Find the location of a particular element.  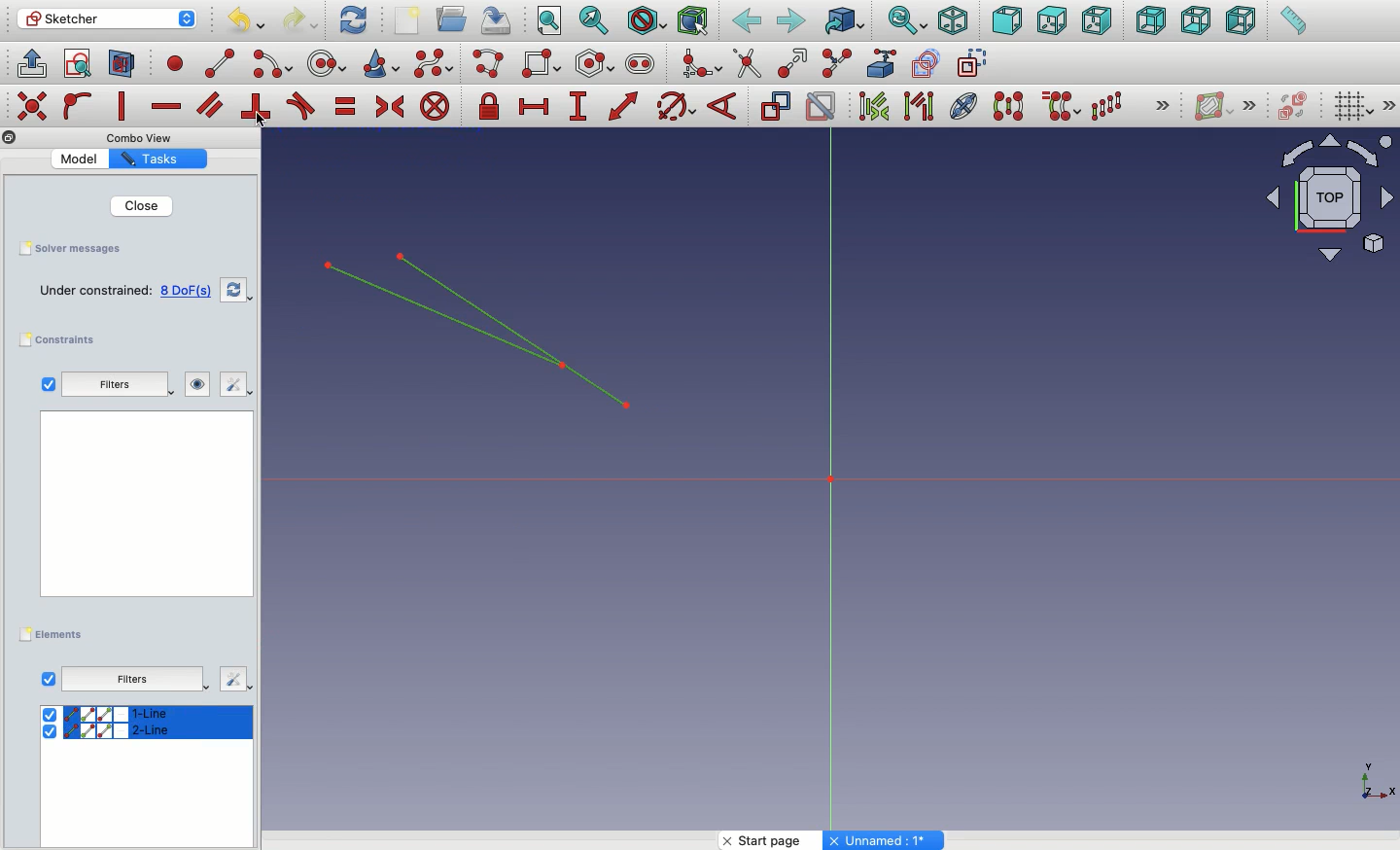

Leave sketch is located at coordinates (31, 62).